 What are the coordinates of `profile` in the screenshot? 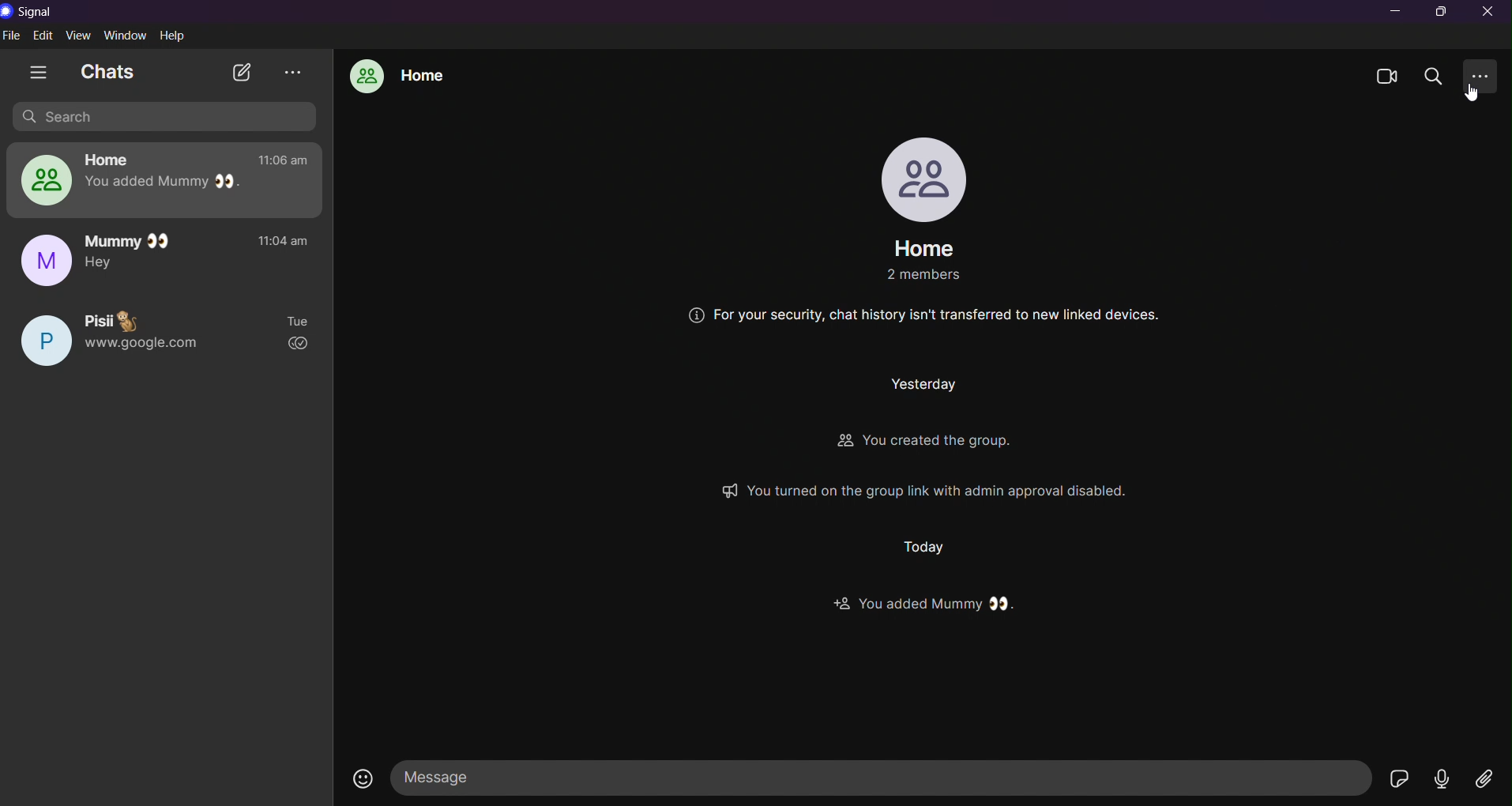 It's located at (920, 179).